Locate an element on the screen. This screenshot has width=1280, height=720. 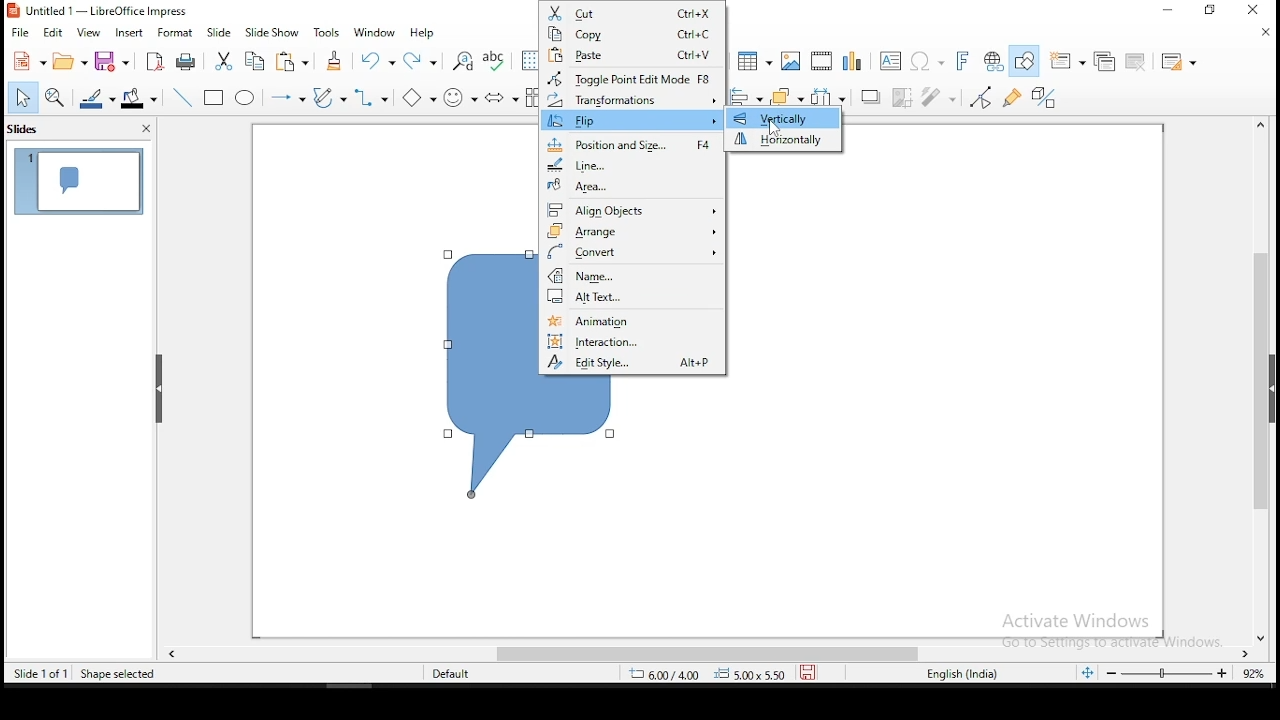
ellipse is located at coordinates (245, 98).